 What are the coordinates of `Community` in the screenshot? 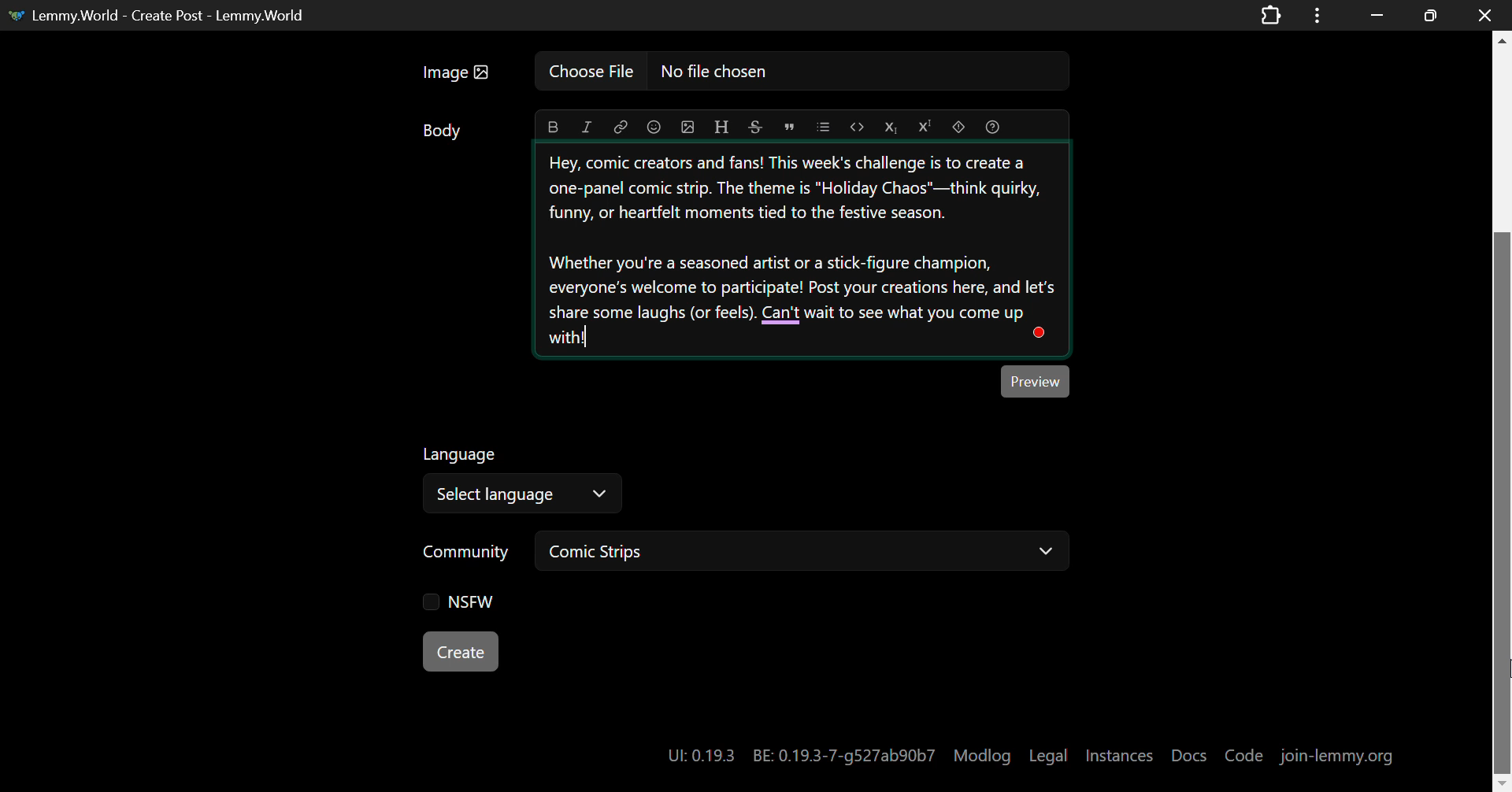 It's located at (468, 550).